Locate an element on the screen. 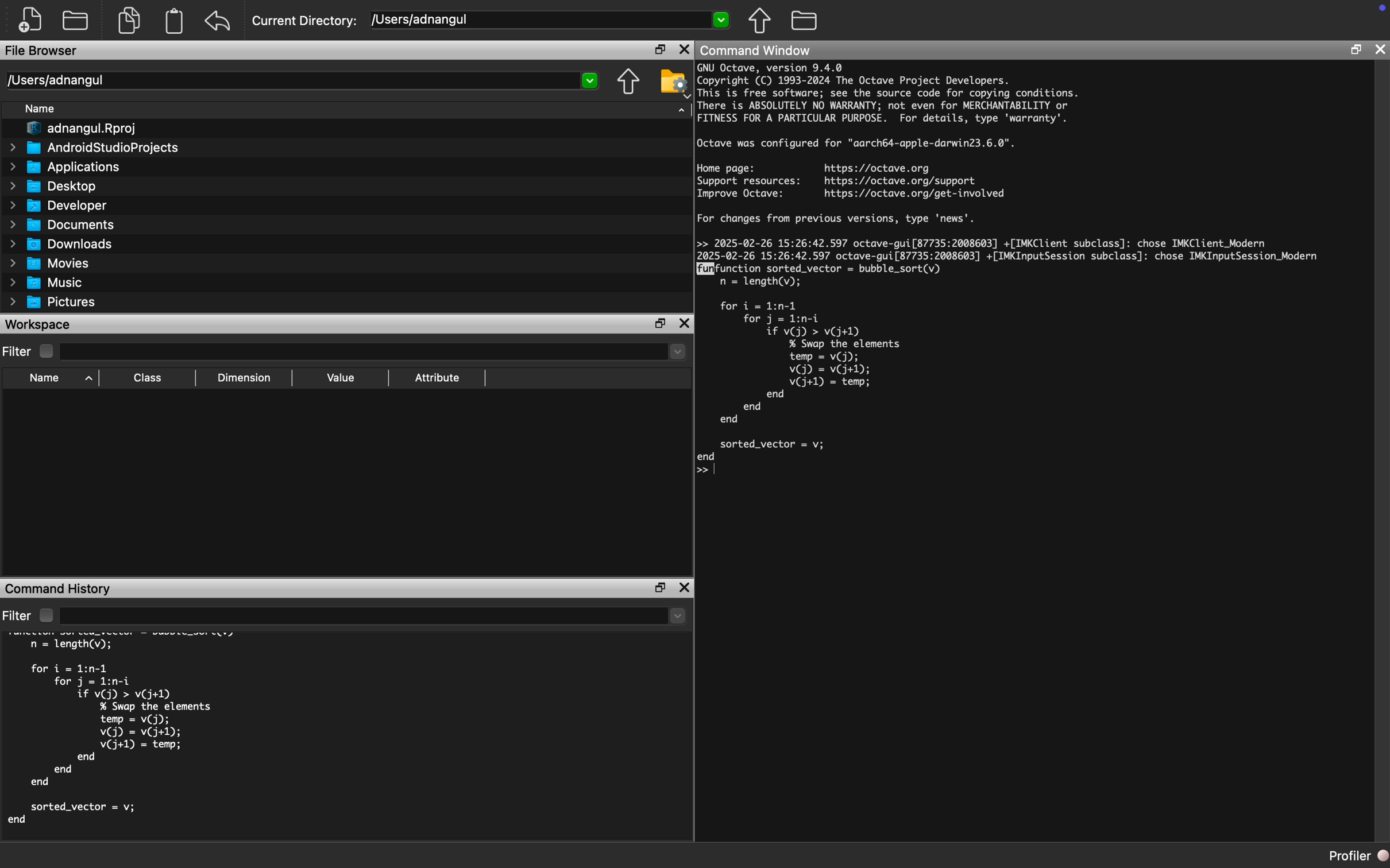  Checkbox is located at coordinates (48, 351).